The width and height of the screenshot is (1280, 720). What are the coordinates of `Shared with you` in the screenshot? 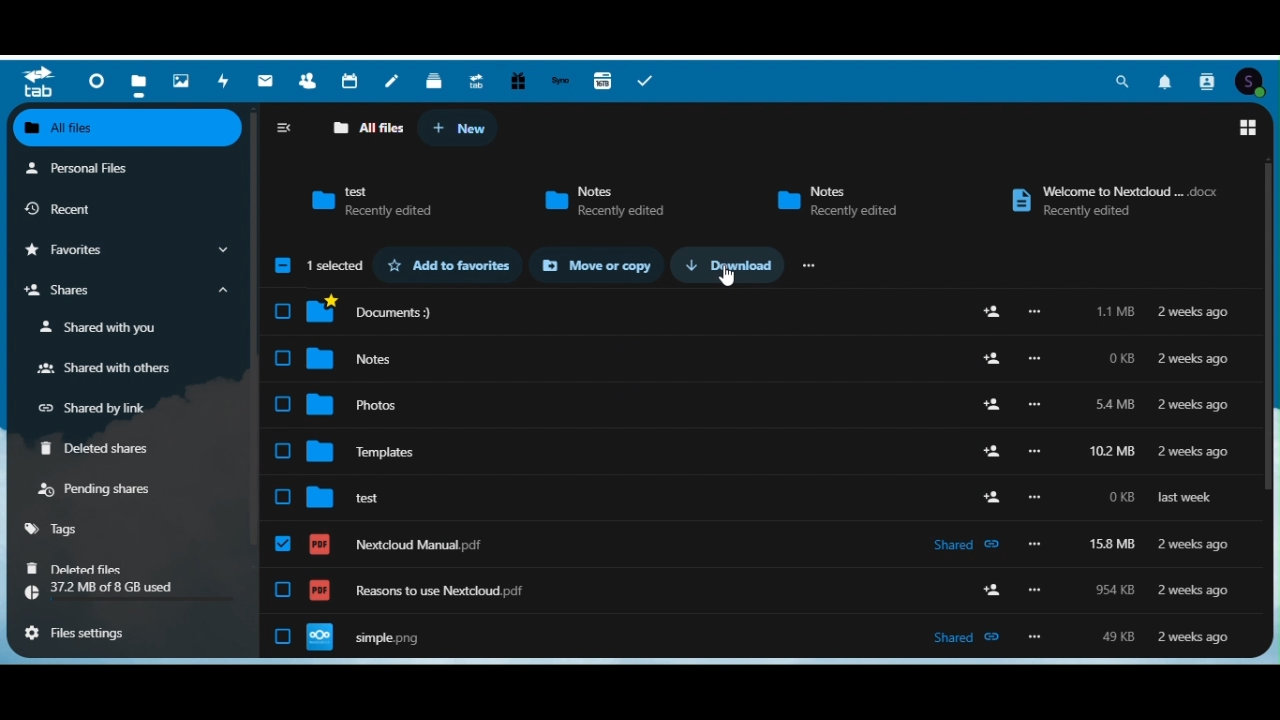 It's located at (109, 329).